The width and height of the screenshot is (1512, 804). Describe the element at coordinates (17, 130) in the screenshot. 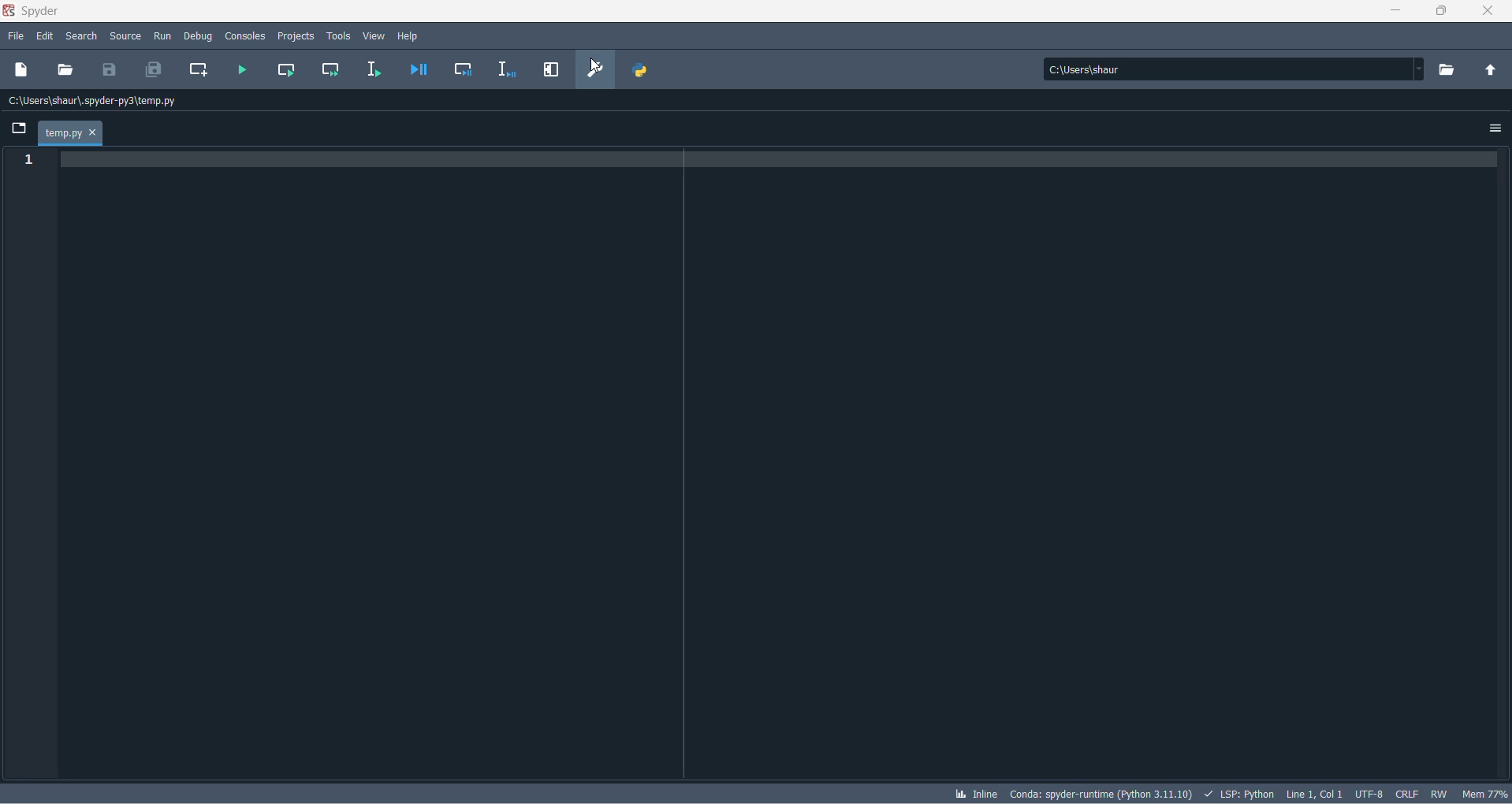

I see `folder` at that location.